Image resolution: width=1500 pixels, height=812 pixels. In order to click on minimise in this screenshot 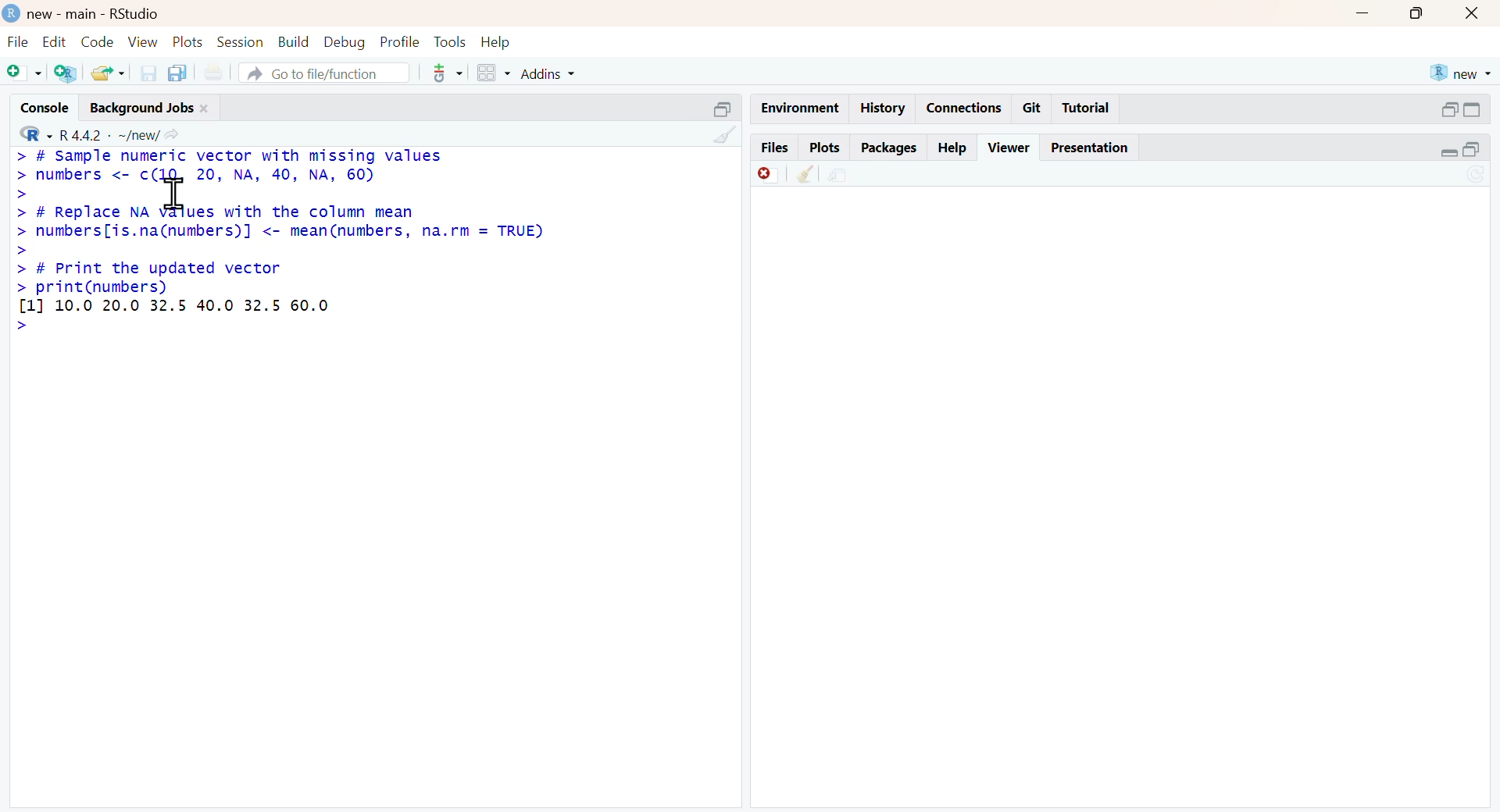, I will do `click(1364, 12)`.